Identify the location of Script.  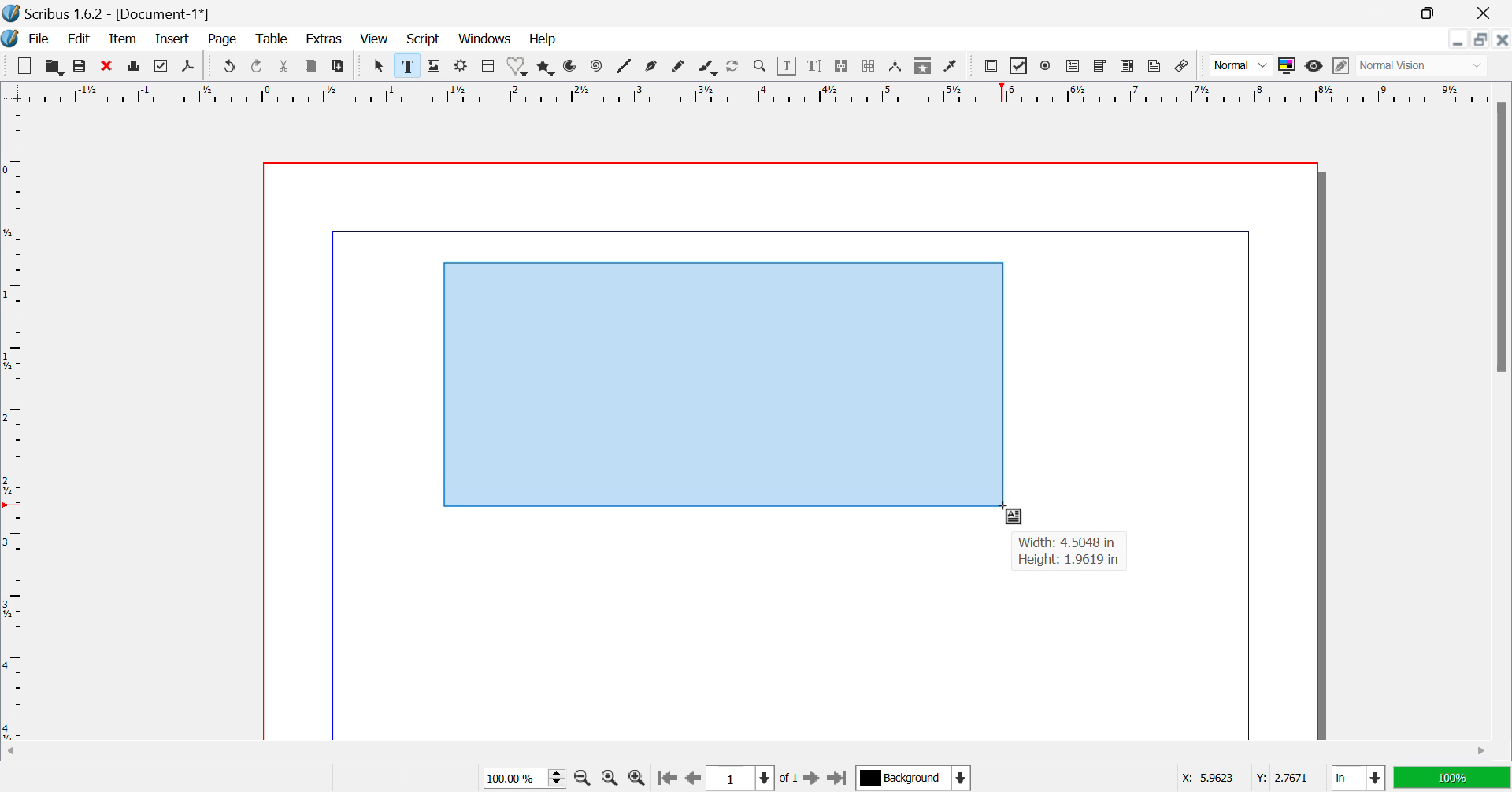
(422, 40).